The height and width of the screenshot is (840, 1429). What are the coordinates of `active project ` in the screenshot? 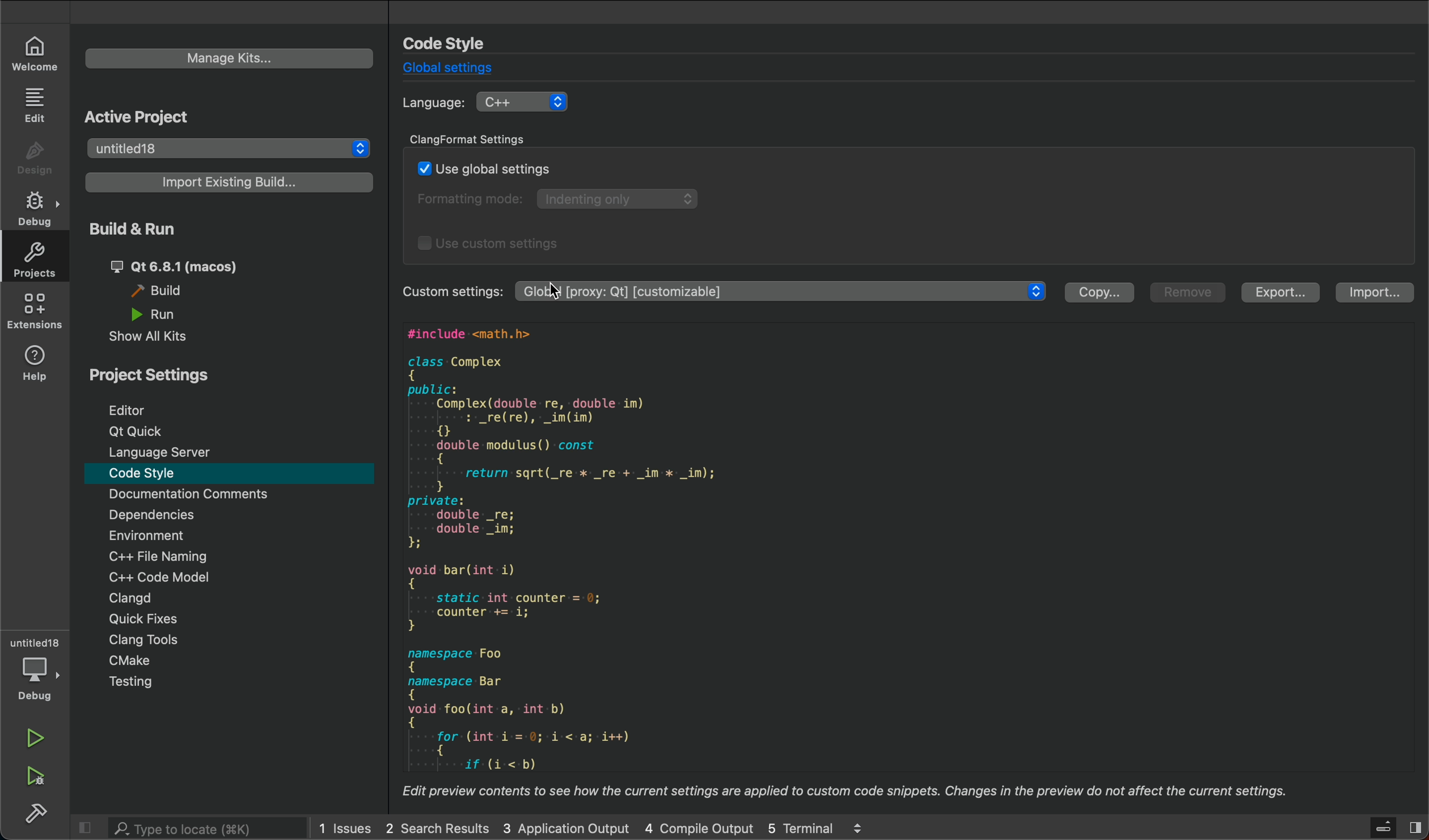 It's located at (139, 116).